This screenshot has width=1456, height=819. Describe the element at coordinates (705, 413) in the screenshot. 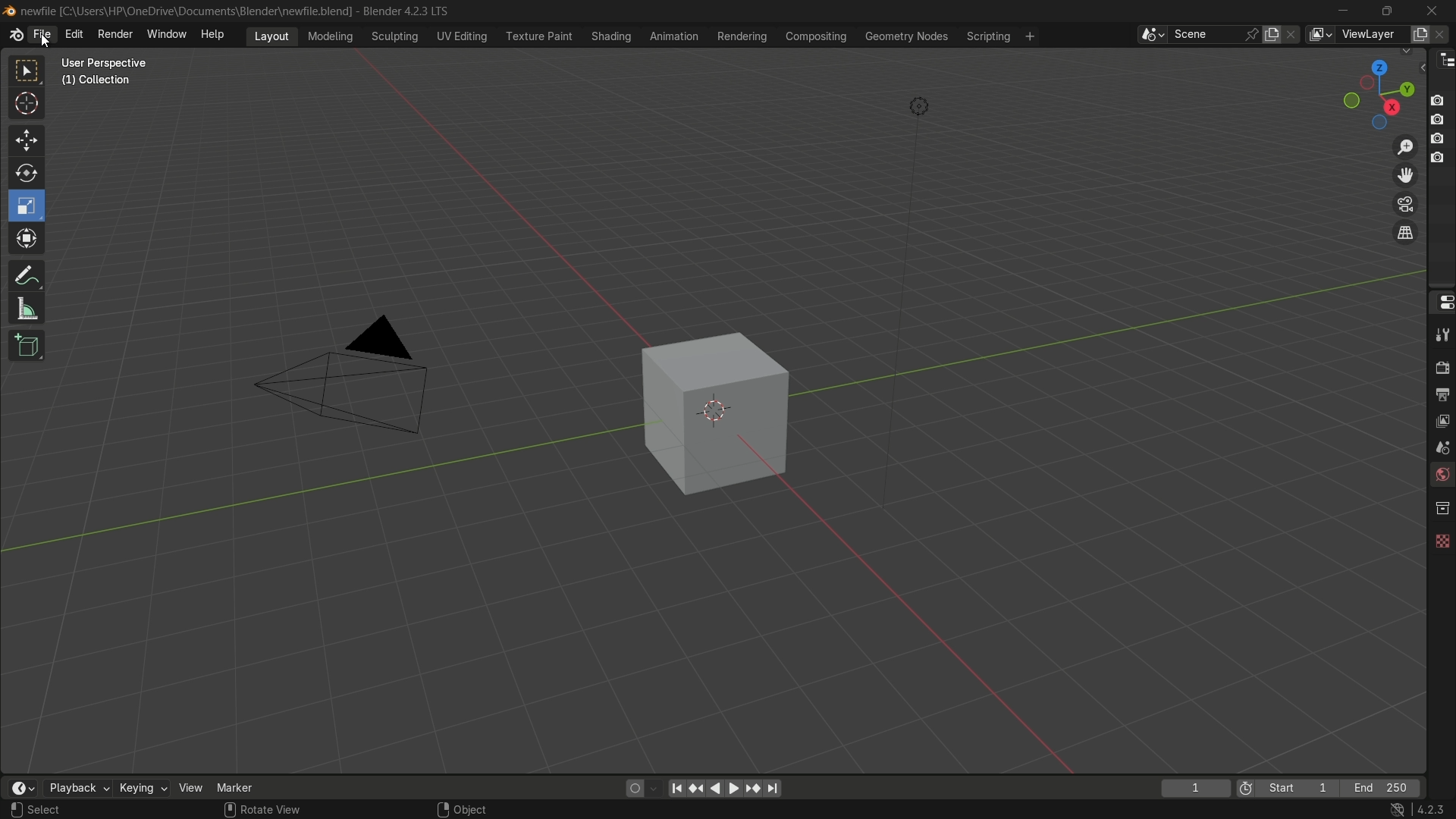

I see `cube` at that location.